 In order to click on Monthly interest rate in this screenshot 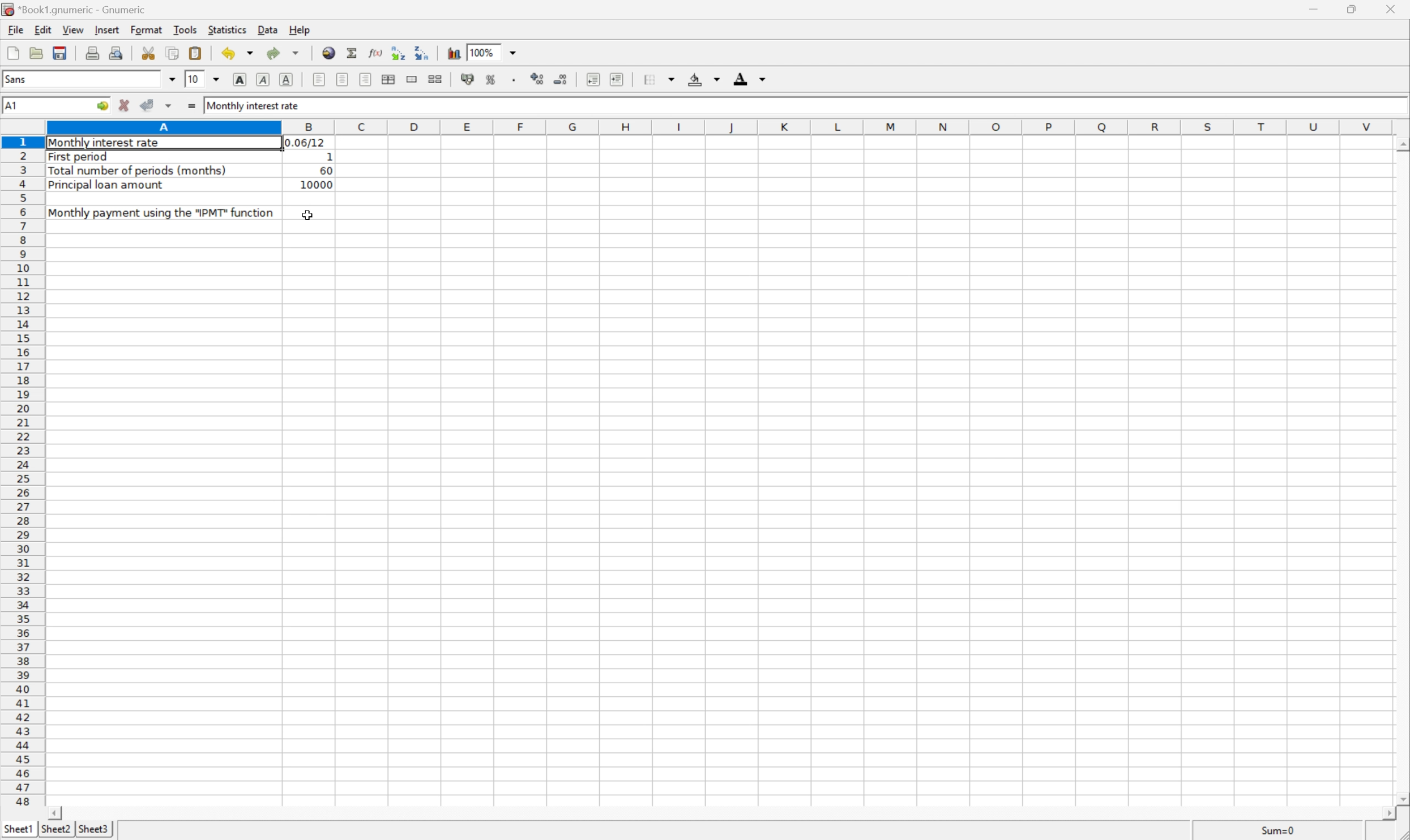, I will do `click(256, 106)`.